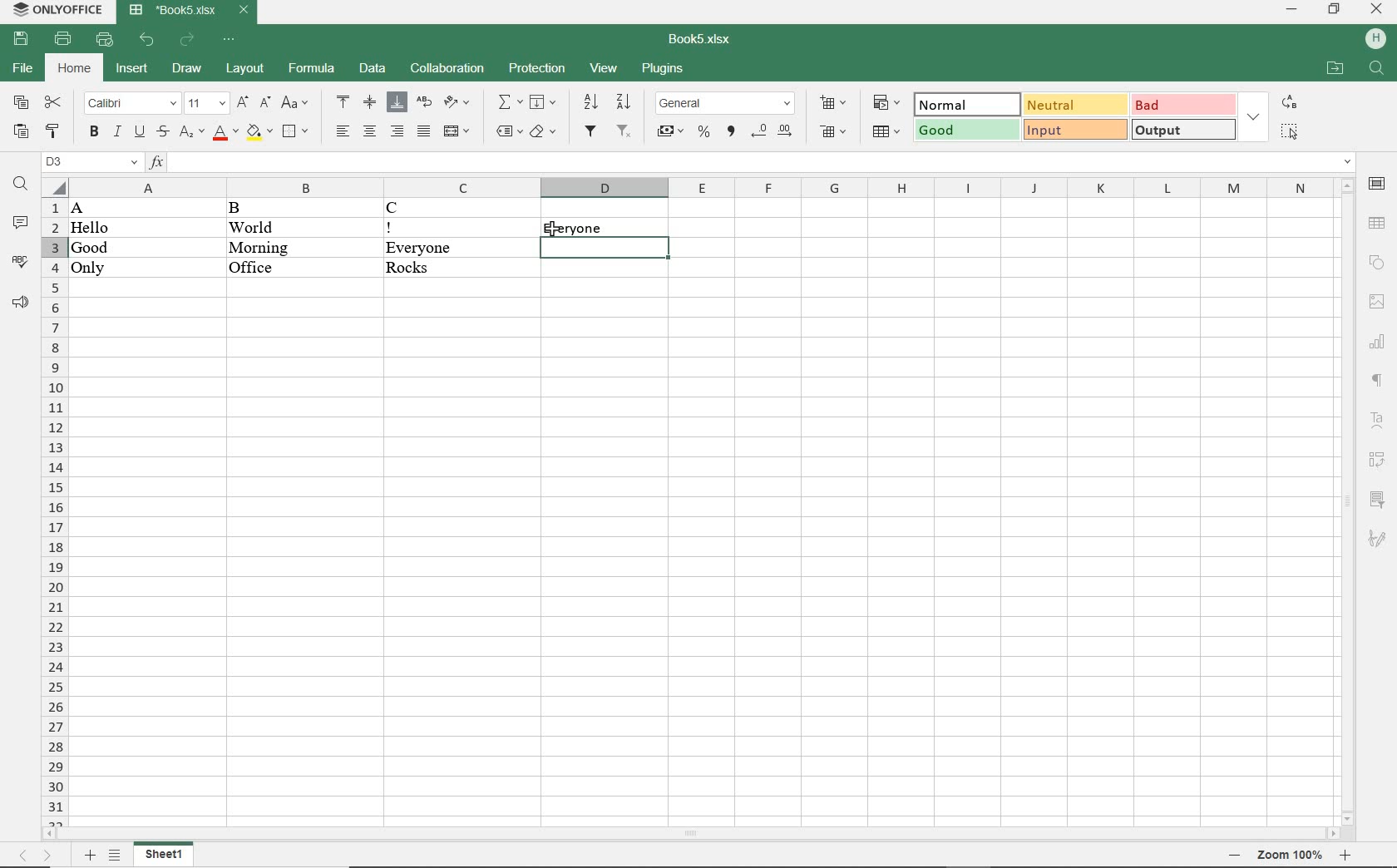  Describe the element at coordinates (54, 185) in the screenshot. I see `select all cells ` at that location.